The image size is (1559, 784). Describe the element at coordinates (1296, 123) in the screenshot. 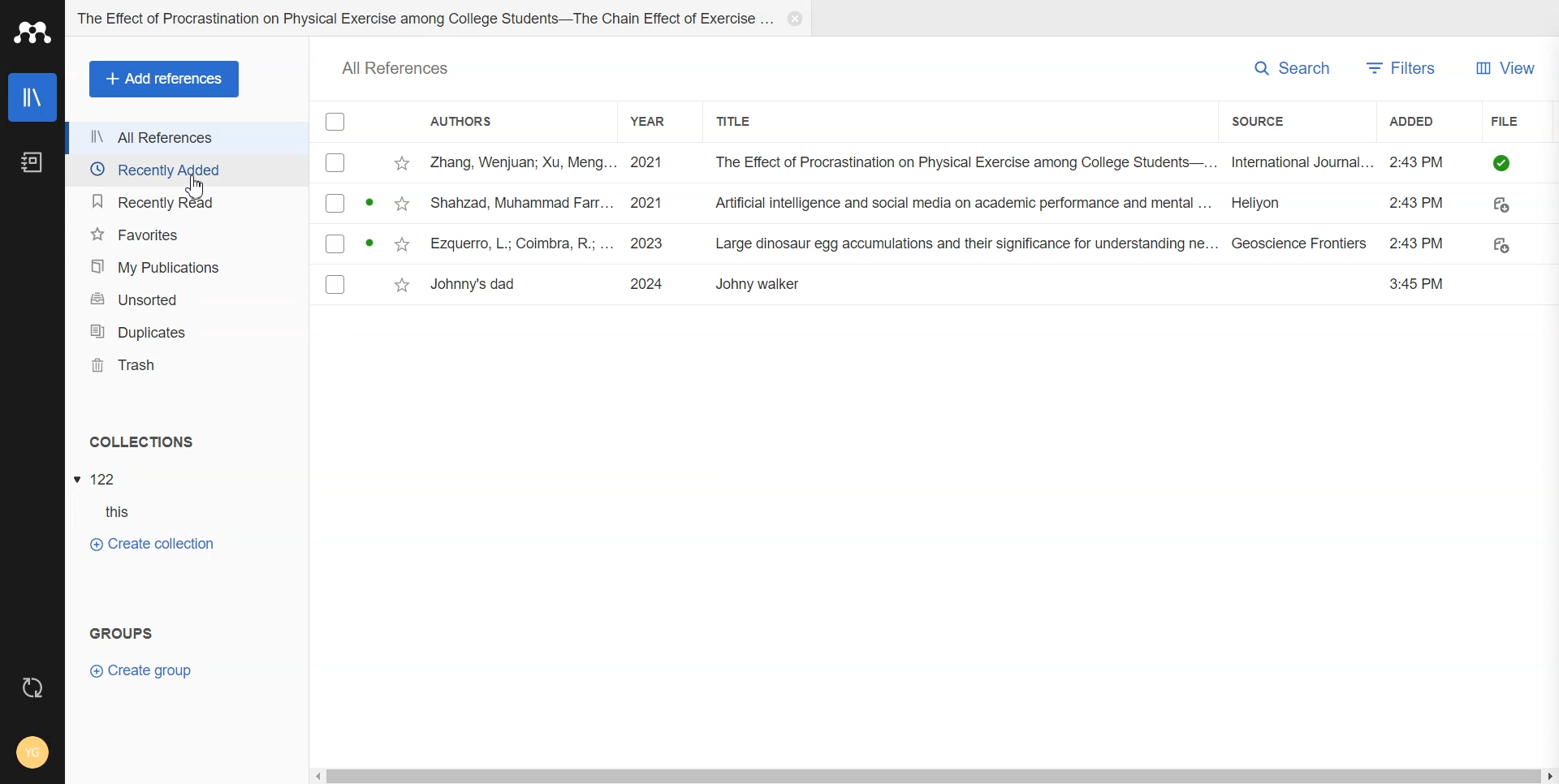

I see `Sources` at that location.